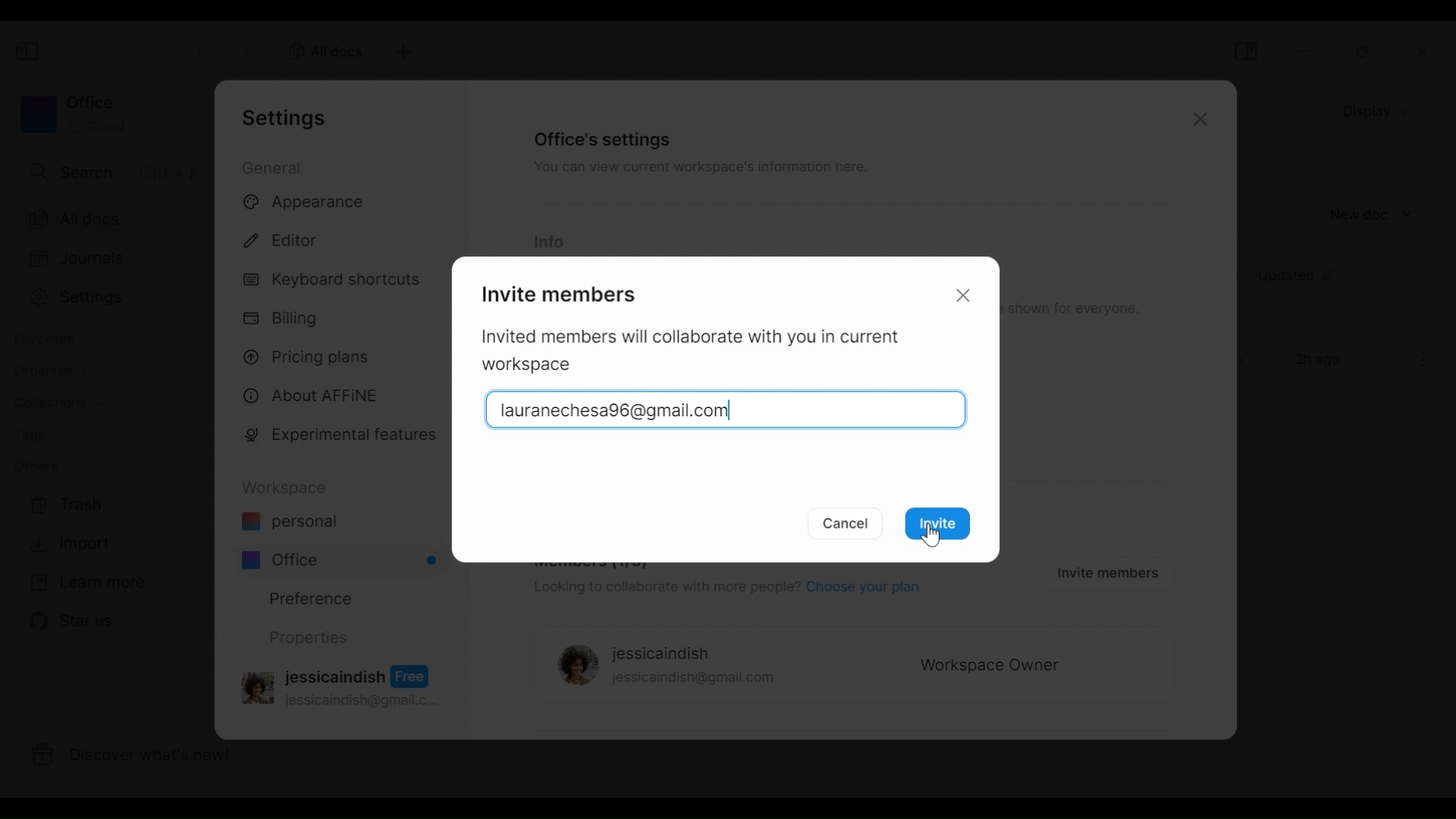 Image resolution: width=1456 pixels, height=819 pixels. Describe the element at coordinates (1364, 52) in the screenshot. I see `restore` at that location.